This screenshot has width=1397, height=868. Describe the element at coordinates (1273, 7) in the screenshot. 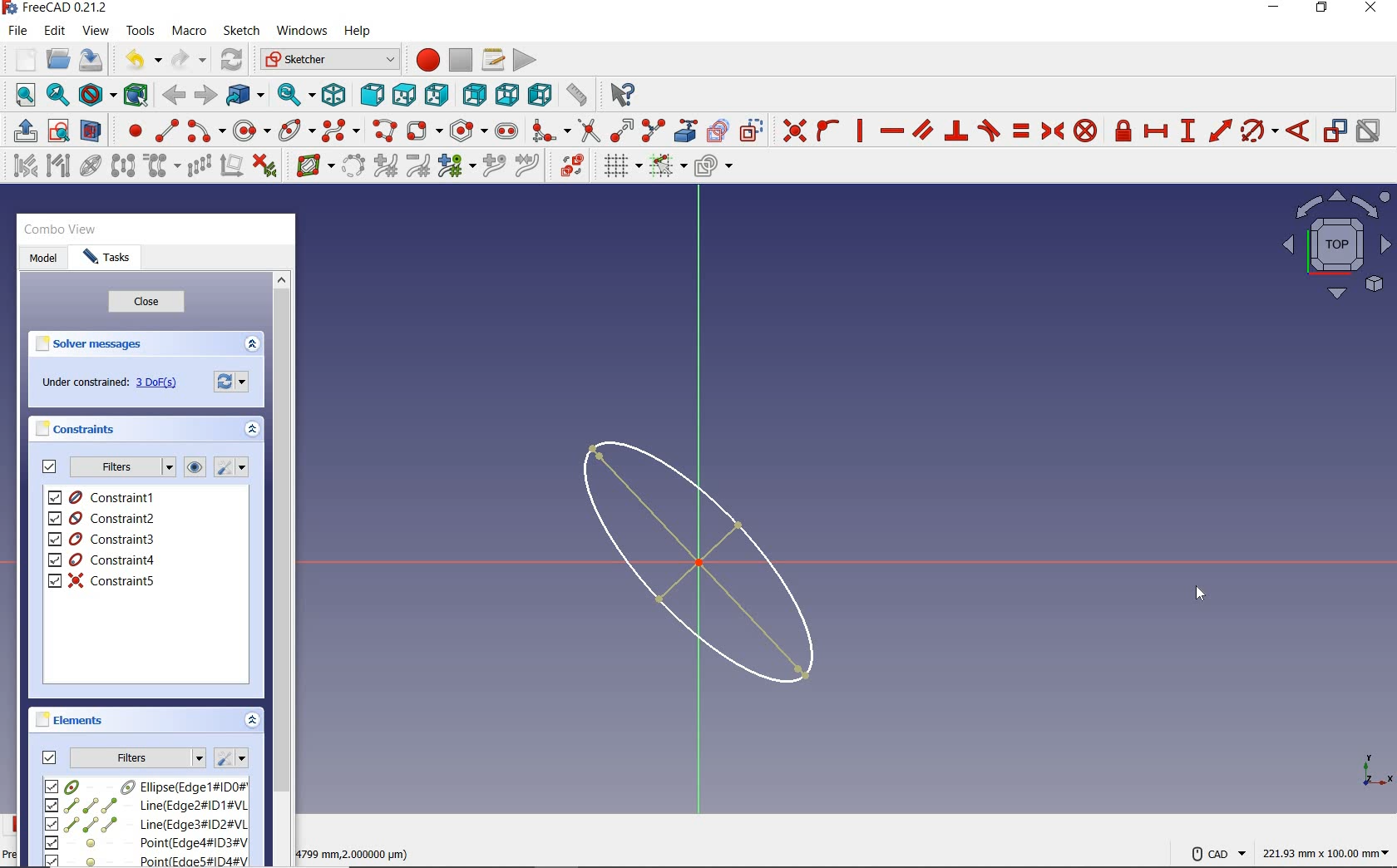

I see `minimize` at that location.